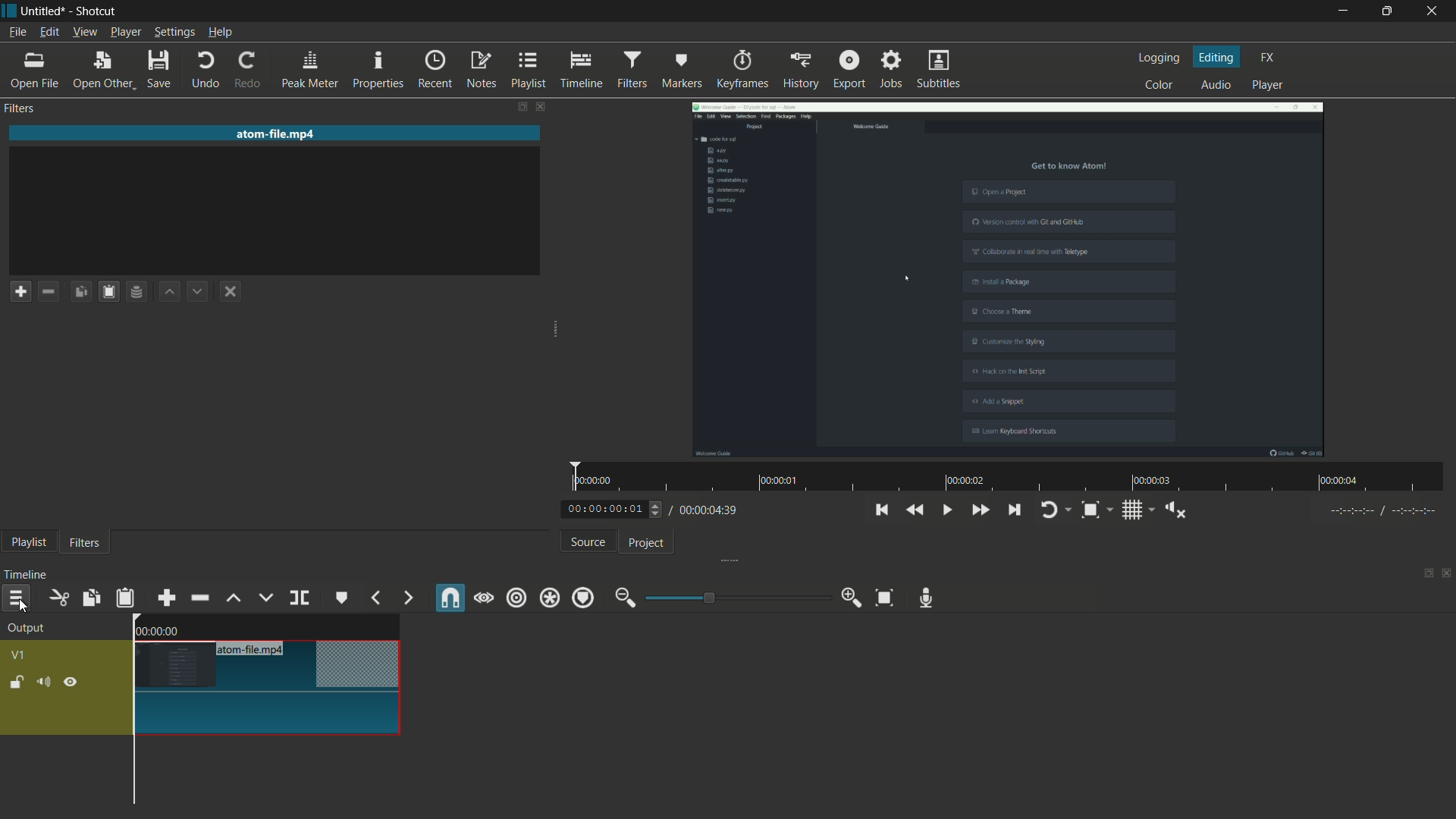  Describe the element at coordinates (9, 11) in the screenshot. I see `app icon` at that location.